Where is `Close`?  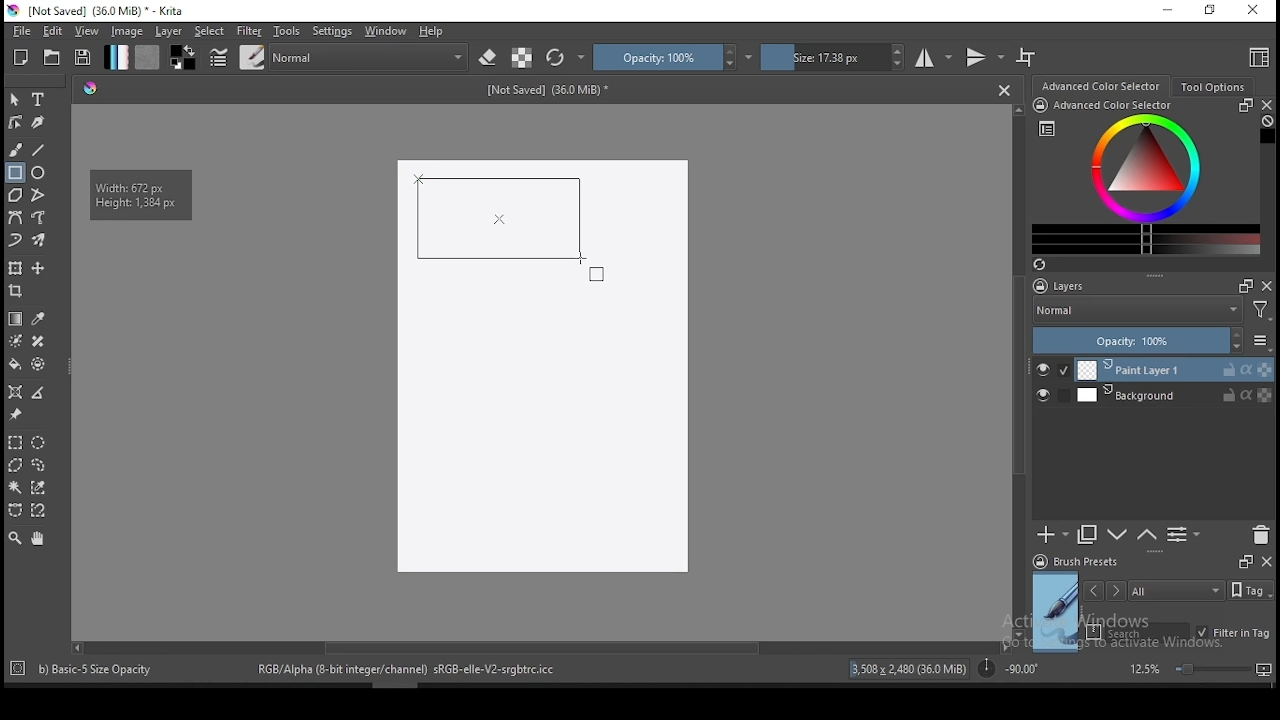 Close is located at coordinates (1004, 89).